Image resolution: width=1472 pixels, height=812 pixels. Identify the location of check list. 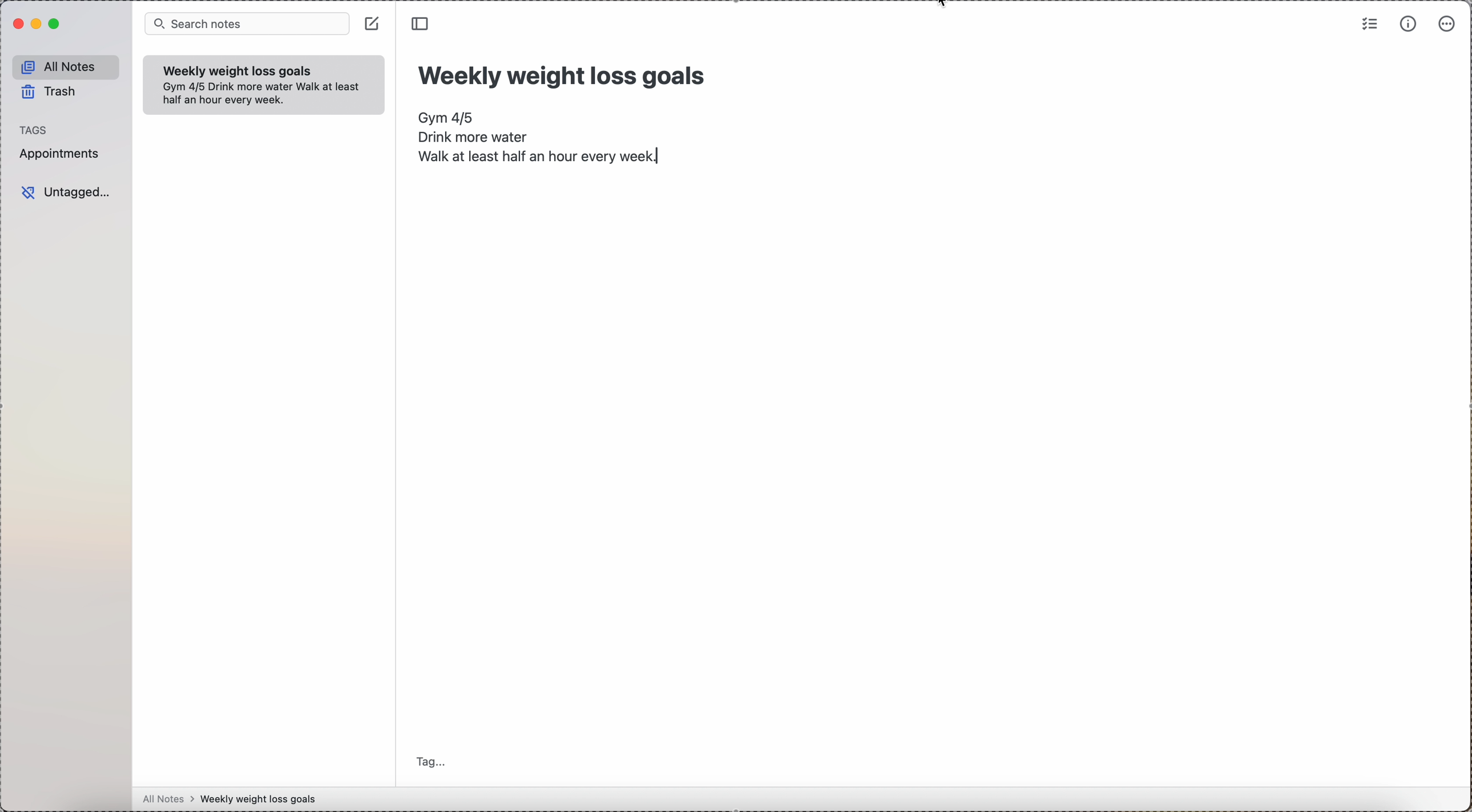
(1368, 25).